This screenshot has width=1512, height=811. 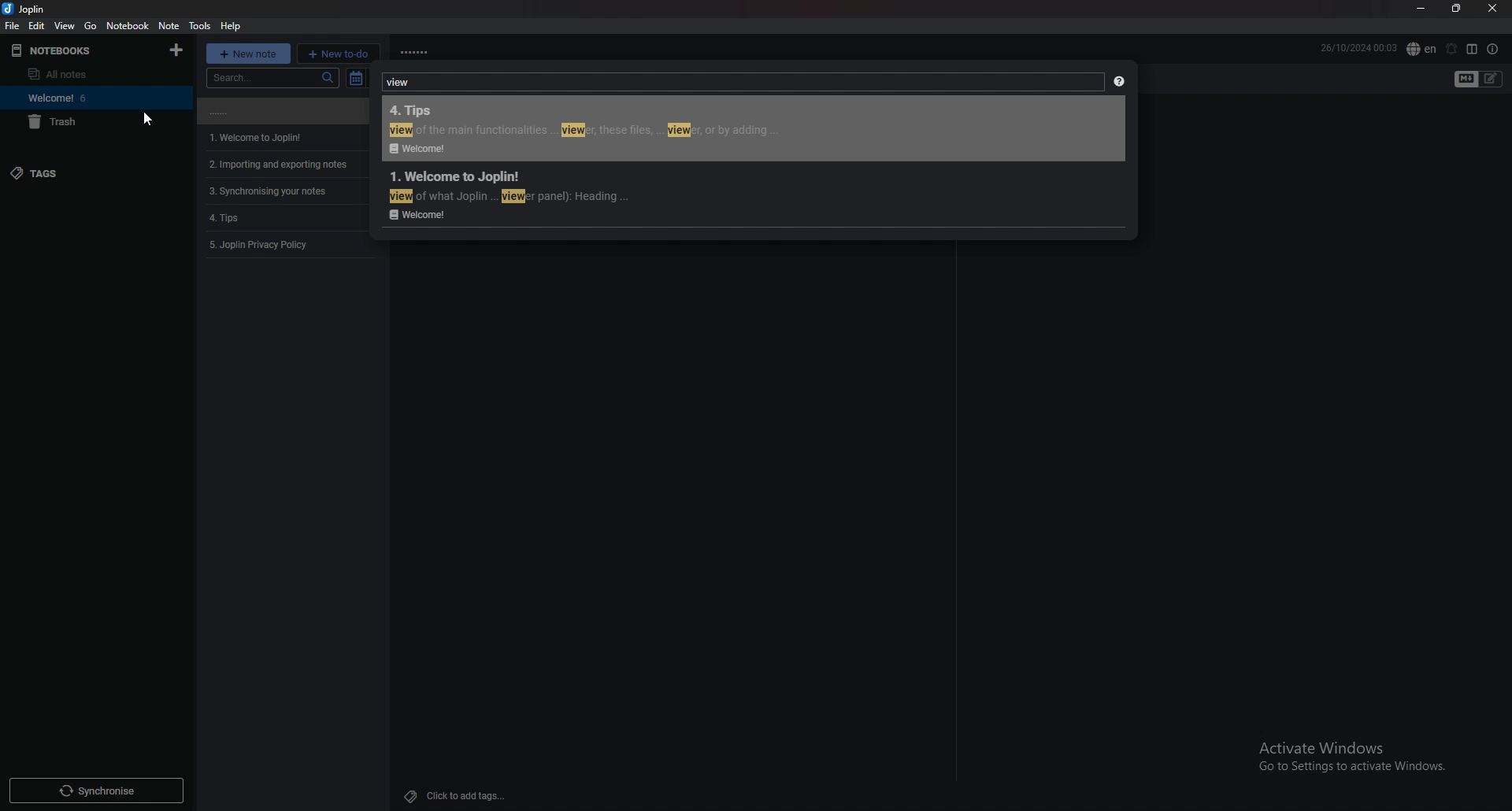 What do you see at coordinates (244, 51) in the screenshot?
I see `new note` at bounding box center [244, 51].